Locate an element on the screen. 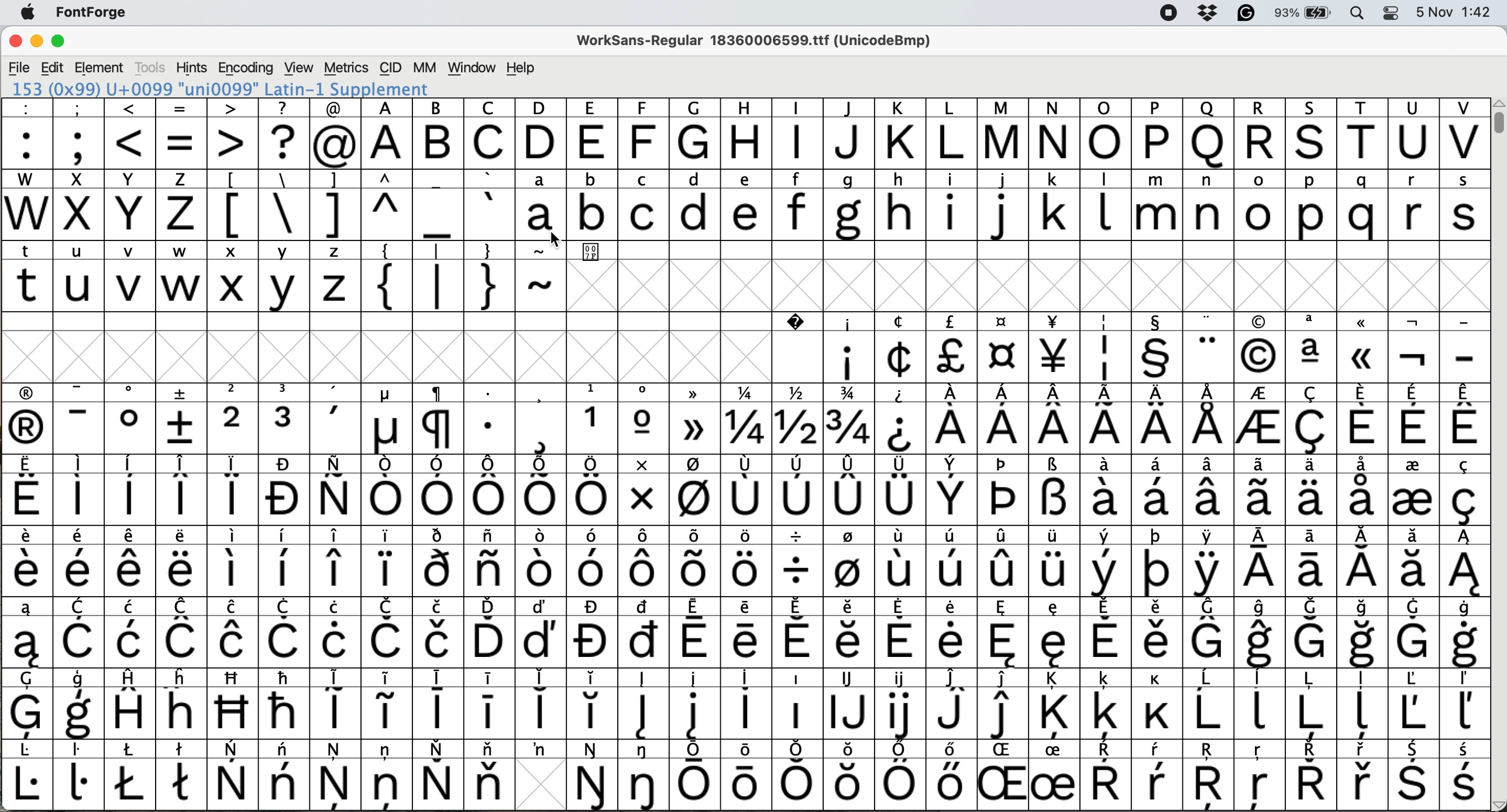  symbol is located at coordinates (1004, 419).